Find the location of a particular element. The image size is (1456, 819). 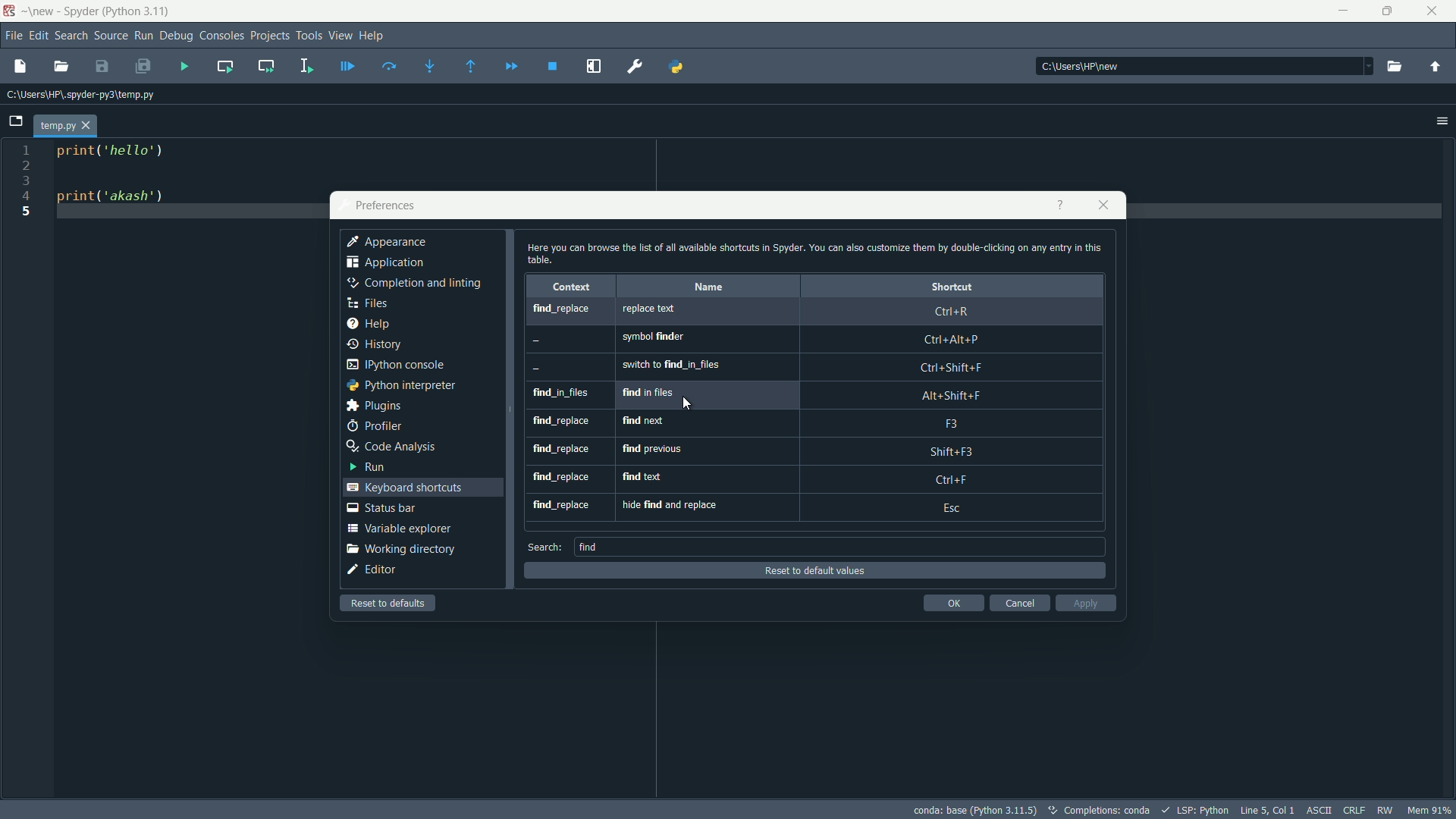

python interpreter is located at coordinates (405, 385).